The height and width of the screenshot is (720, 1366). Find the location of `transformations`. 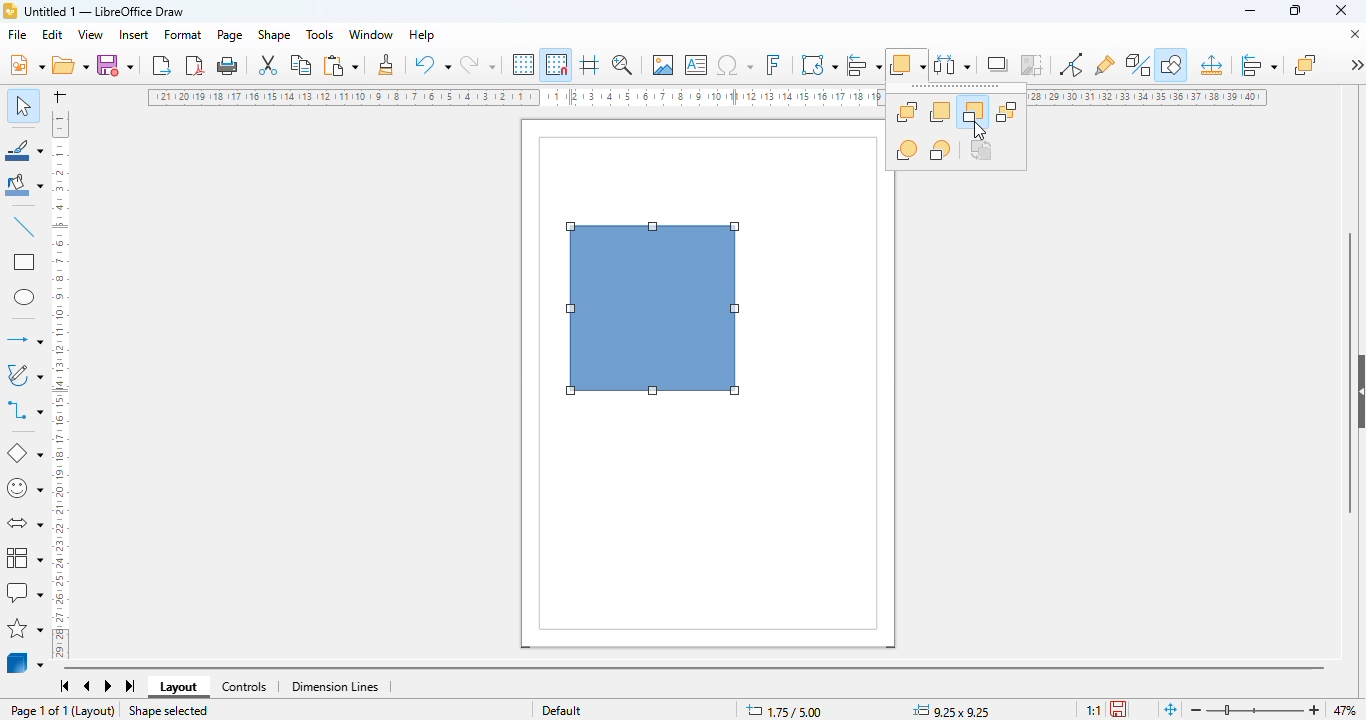

transformations is located at coordinates (820, 64).